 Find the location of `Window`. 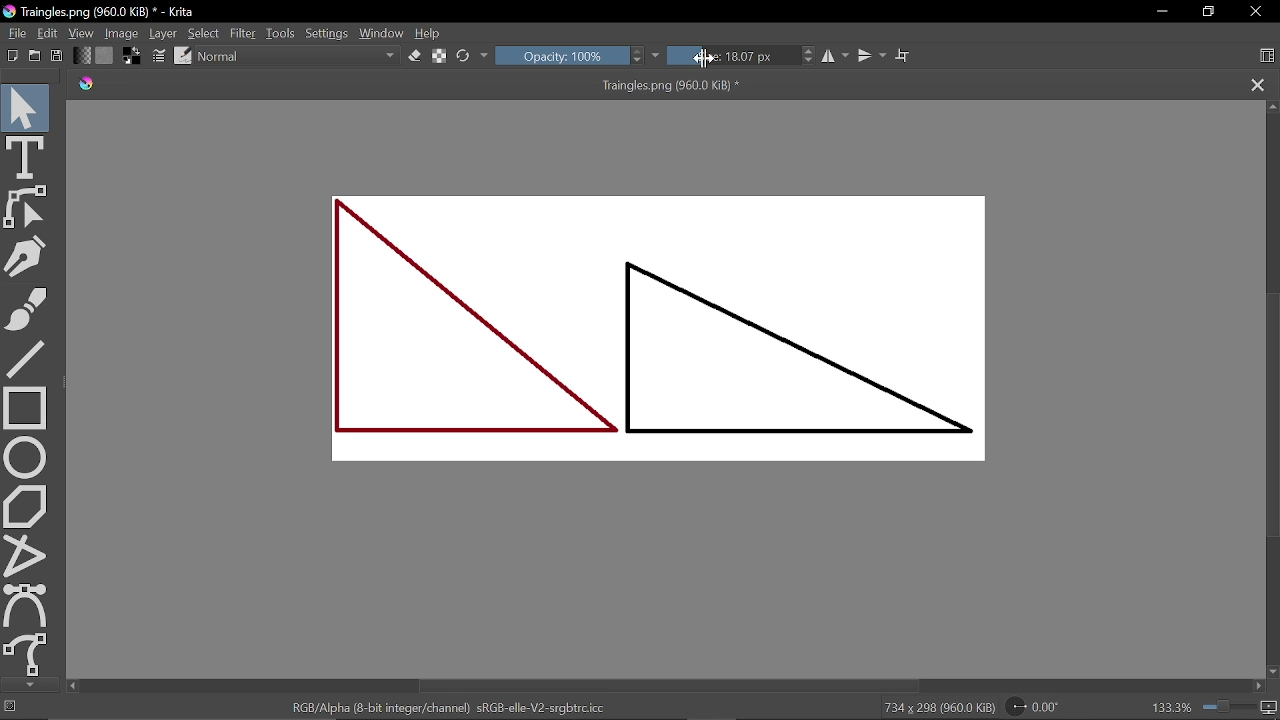

Window is located at coordinates (382, 34).